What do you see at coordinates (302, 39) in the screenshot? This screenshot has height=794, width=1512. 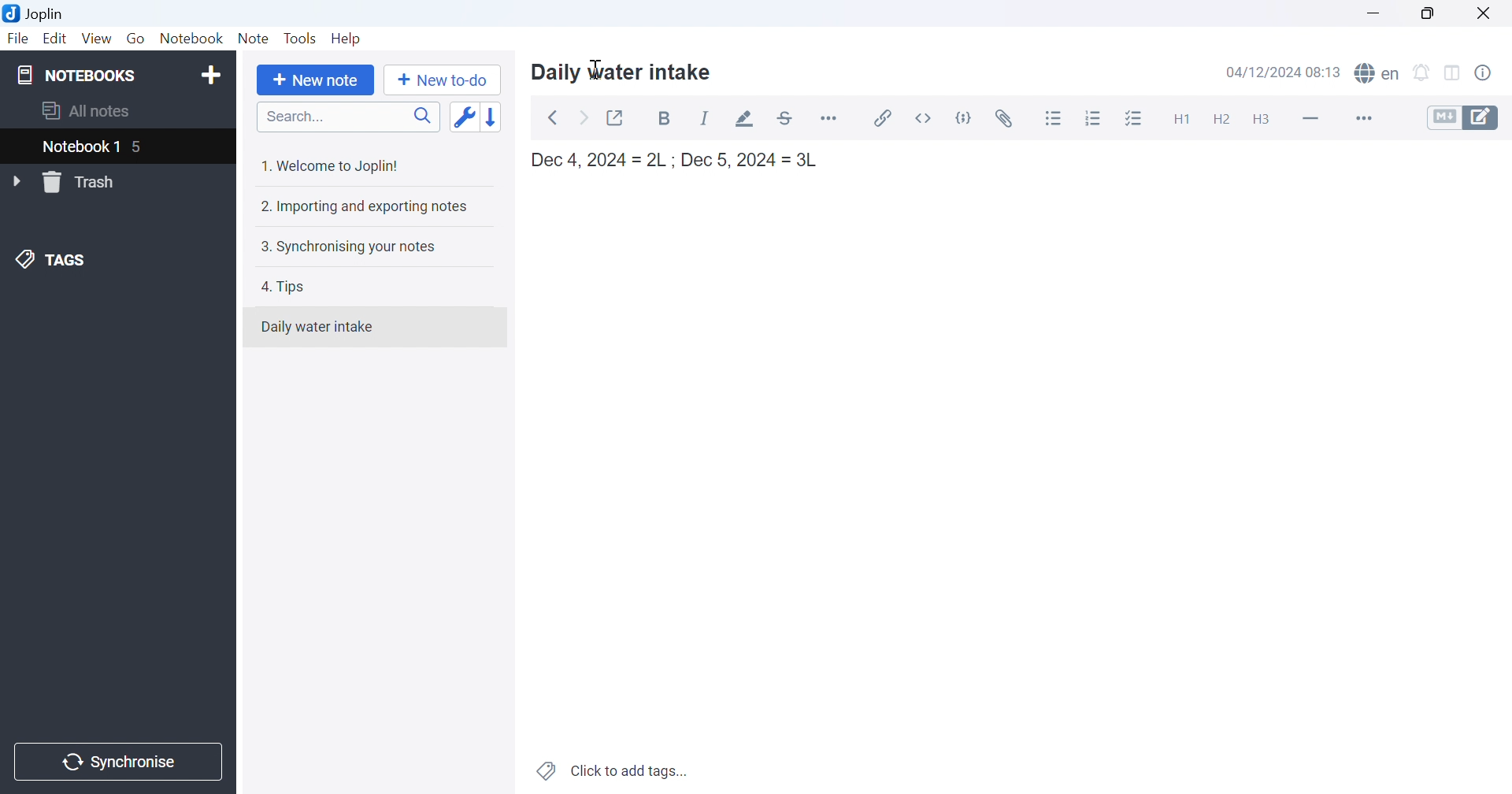 I see `Tools` at bounding box center [302, 39].